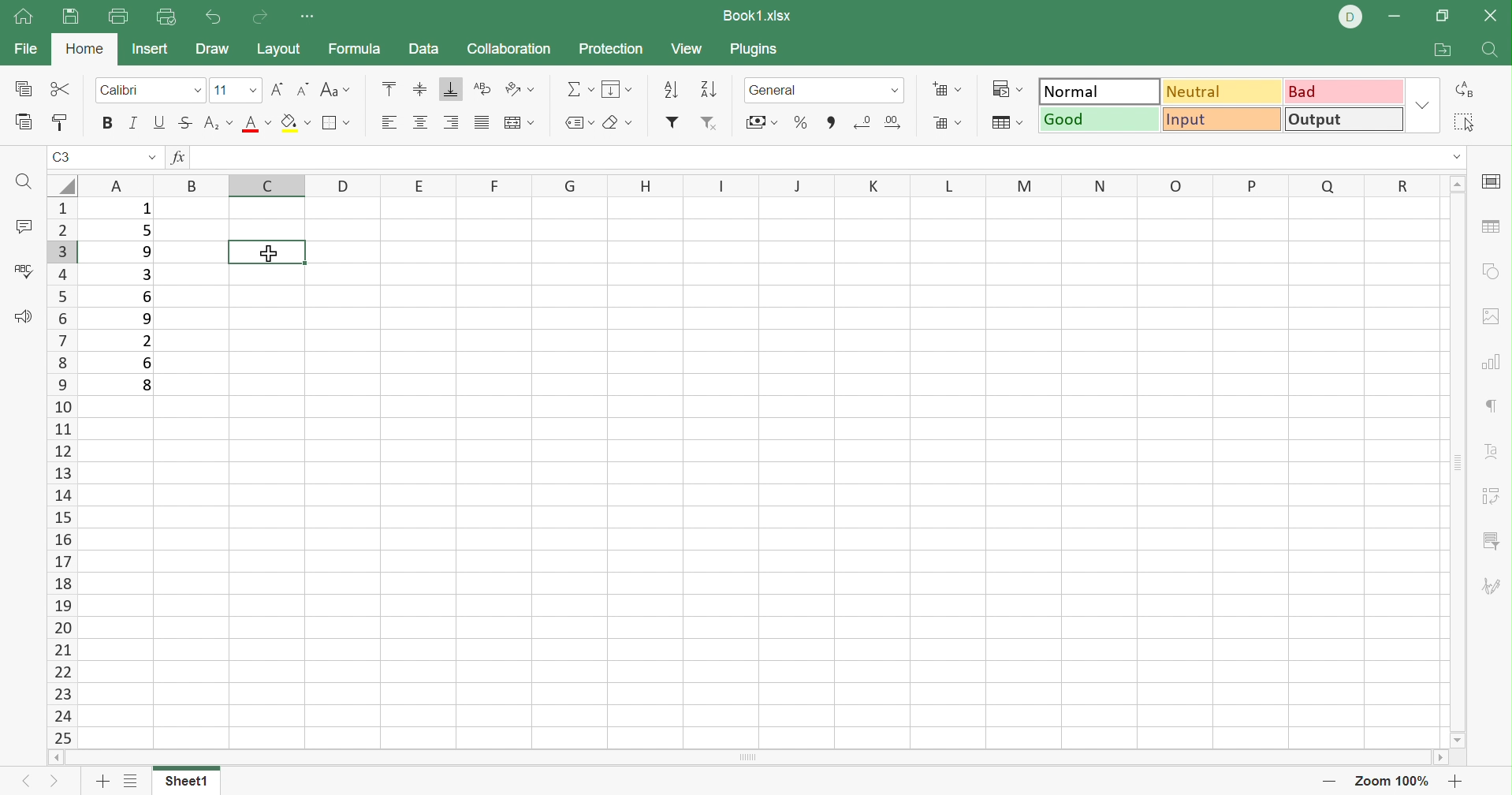 The height and width of the screenshot is (795, 1512). I want to click on 3, so click(149, 274).